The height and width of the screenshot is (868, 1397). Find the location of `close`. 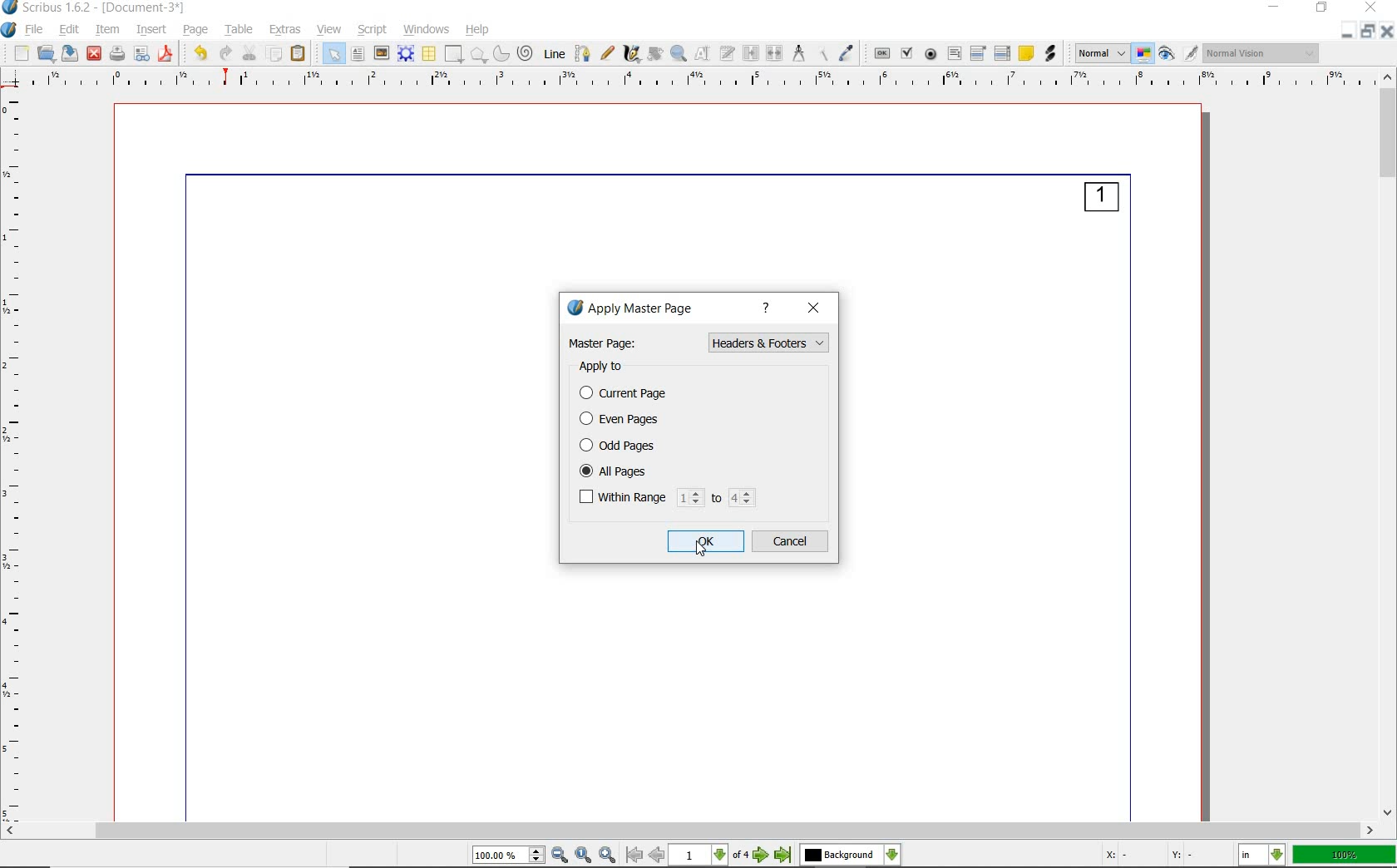

close is located at coordinates (1370, 8).